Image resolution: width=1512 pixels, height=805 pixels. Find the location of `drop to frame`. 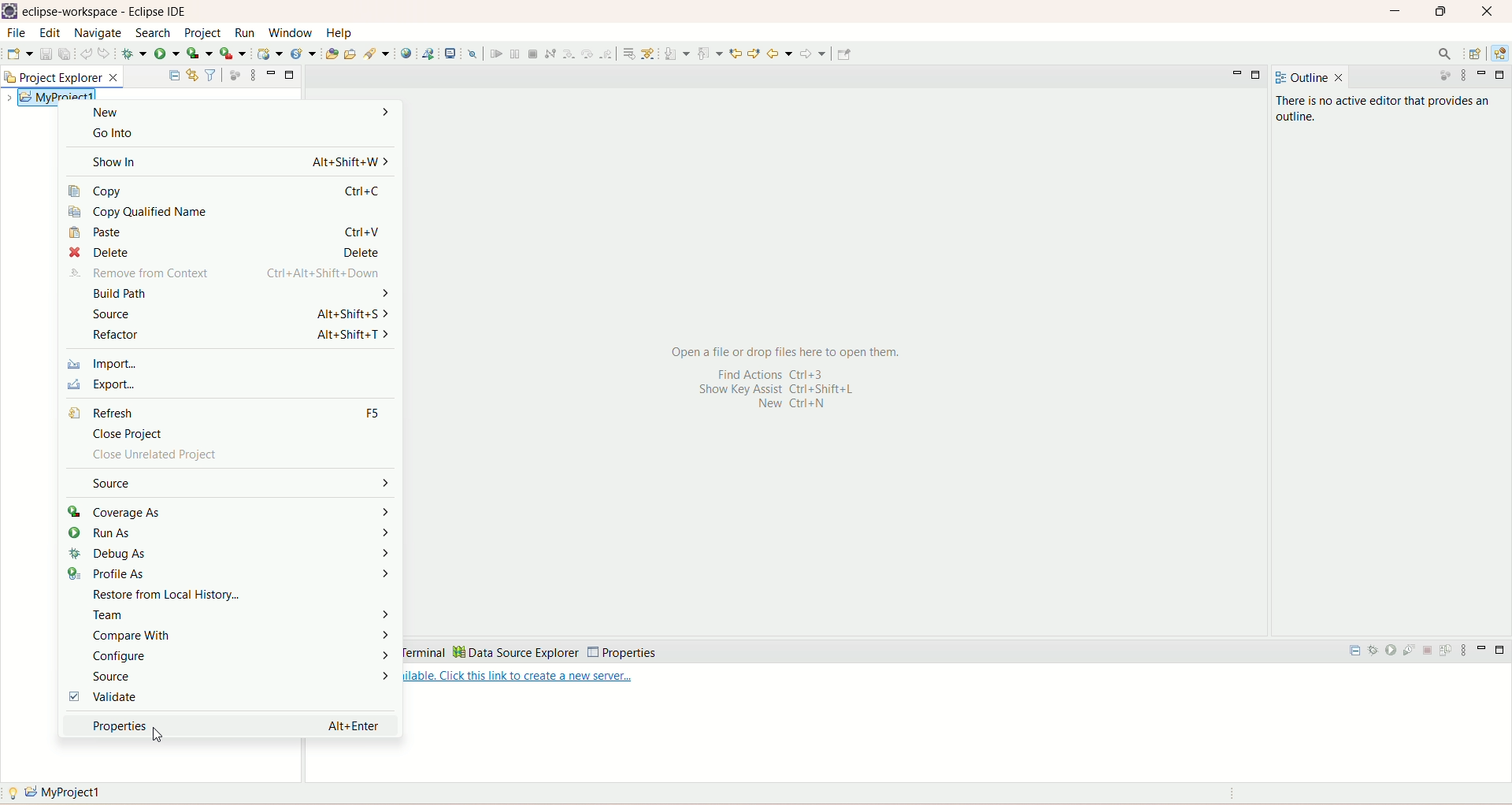

drop to frame is located at coordinates (630, 54).